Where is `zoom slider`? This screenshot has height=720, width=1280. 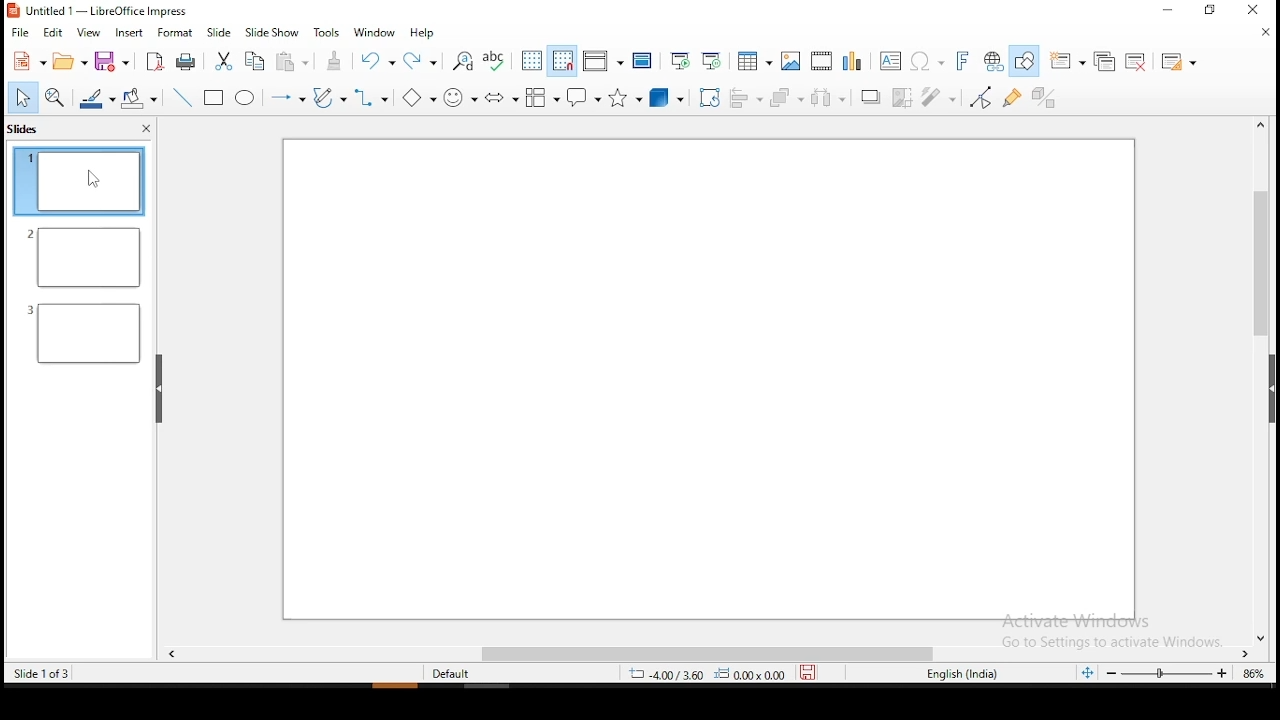
zoom slider is located at coordinates (1169, 676).